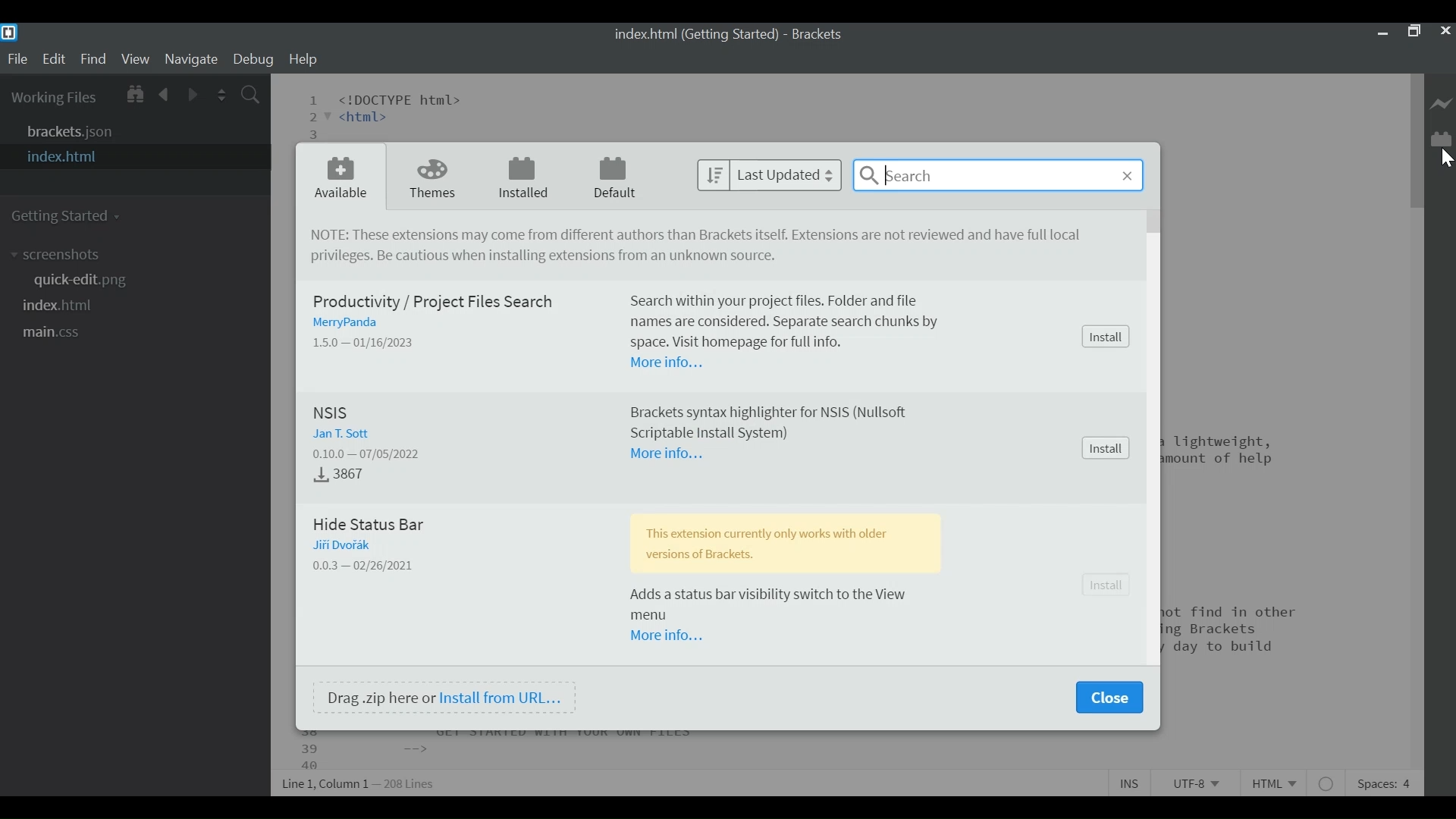  What do you see at coordinates (54, 59) in the screenshot?
I see `Edit` at bounding box center [54, 59].